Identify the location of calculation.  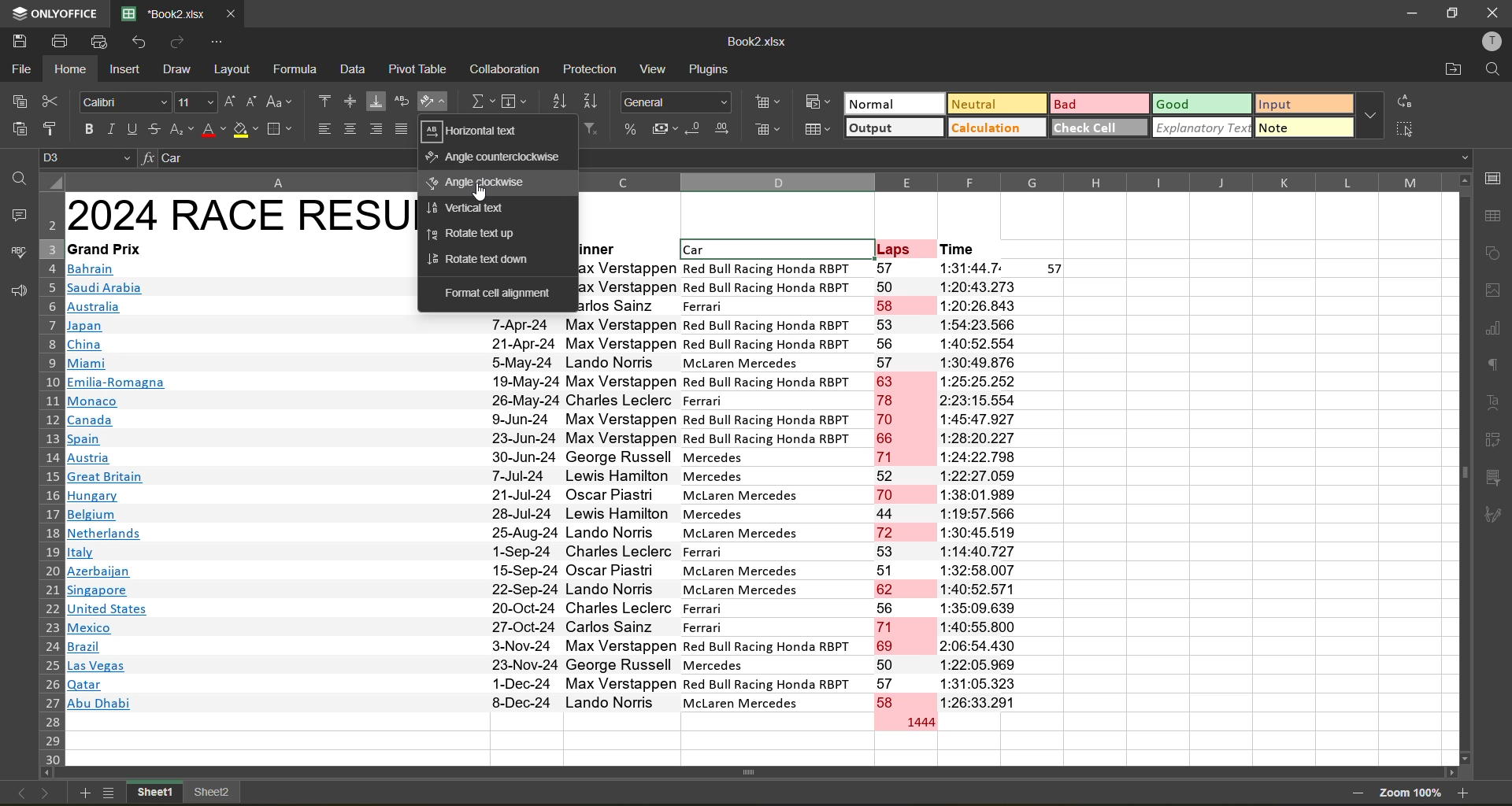
(506, 70).